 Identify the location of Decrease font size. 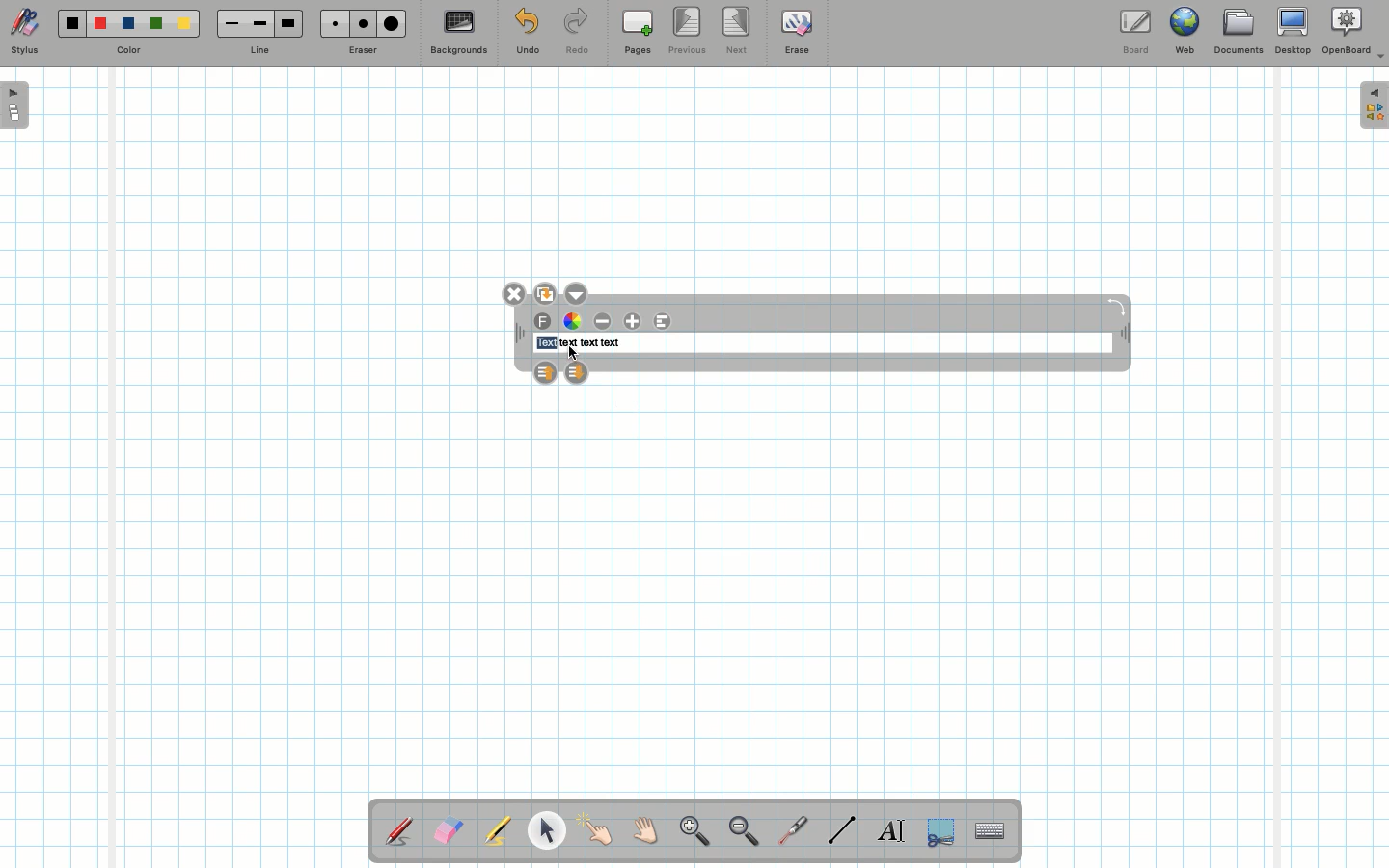
(604, 321).